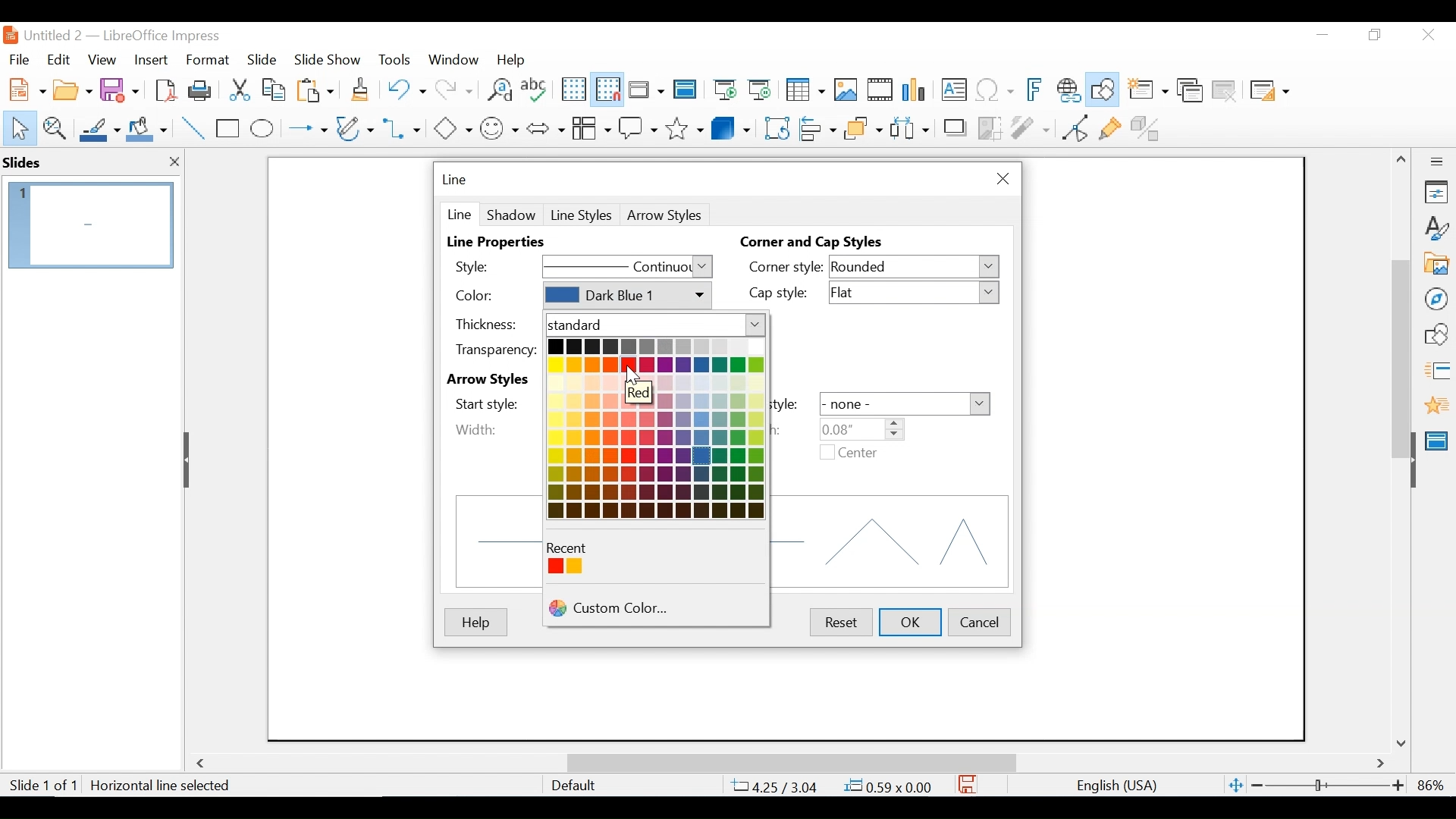 This screenshot has width=1456, height=819. I want to click on Close, so click(1000, 179).